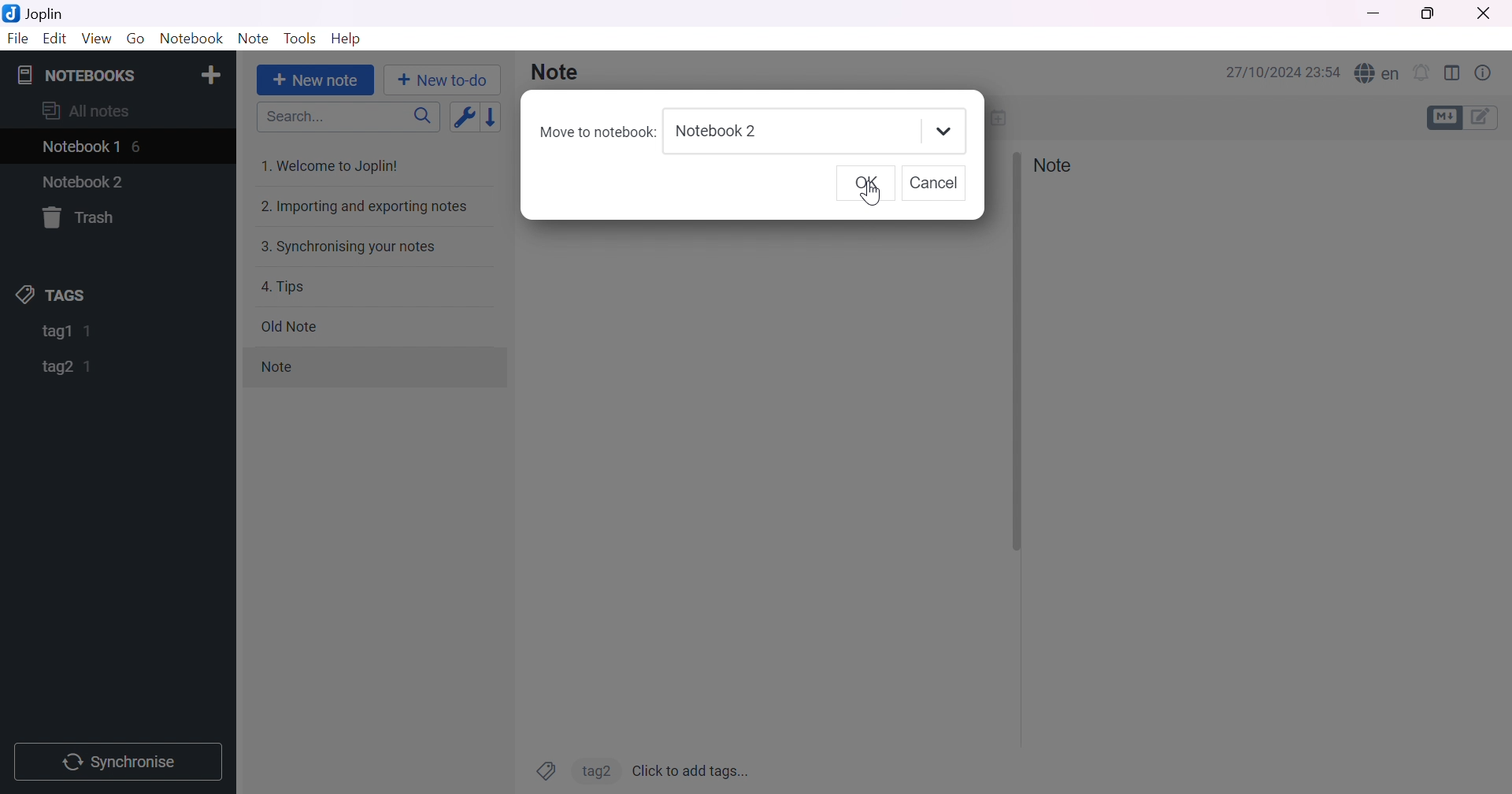 The width and height of the screenshot is (1512, 794). What do you see at coordinates (91, 331) in the screenshot?
I see `1` at bounding box center [91, 331].